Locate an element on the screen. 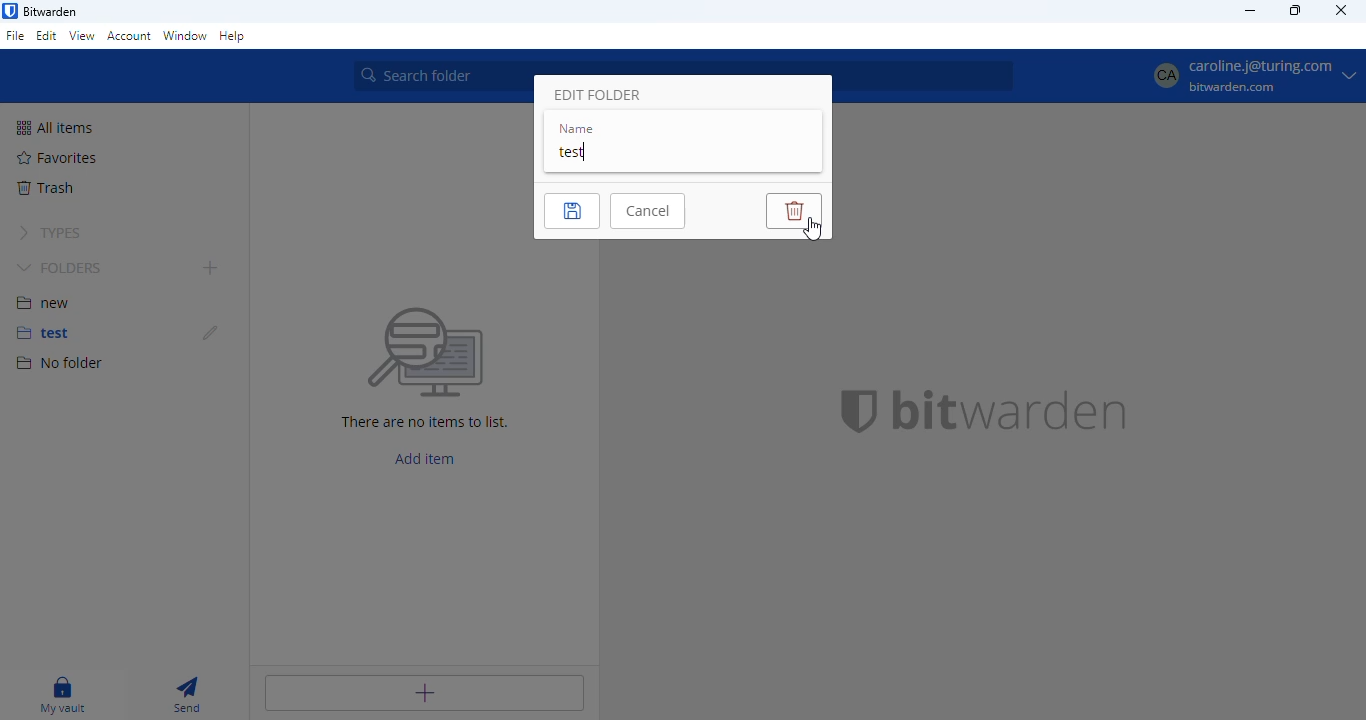 Image resolution: width=1366 pixels, height=720 pixels. edit is located at coordinates (210, 332).